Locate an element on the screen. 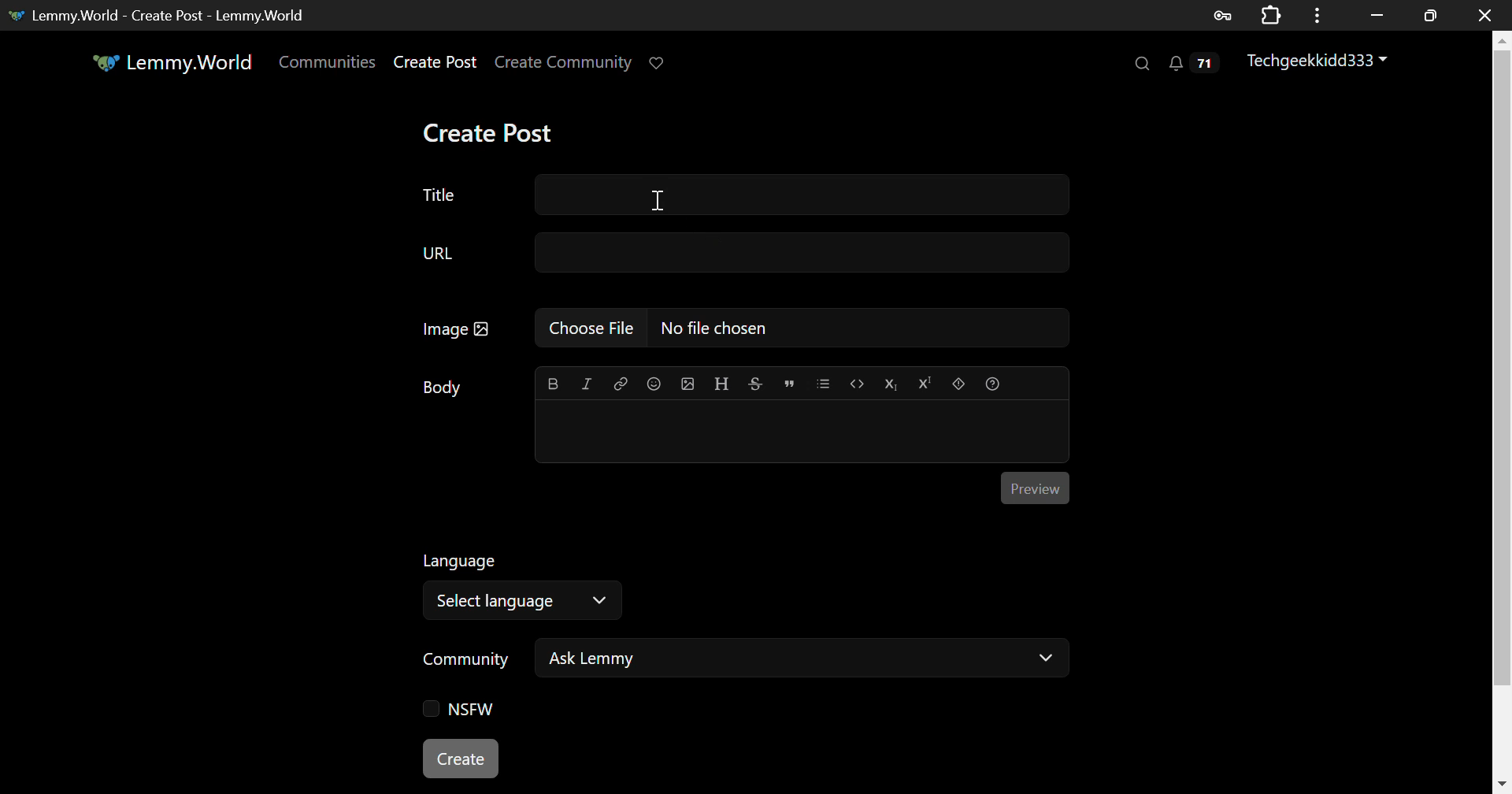  Body is located at coordinates (443, 388).